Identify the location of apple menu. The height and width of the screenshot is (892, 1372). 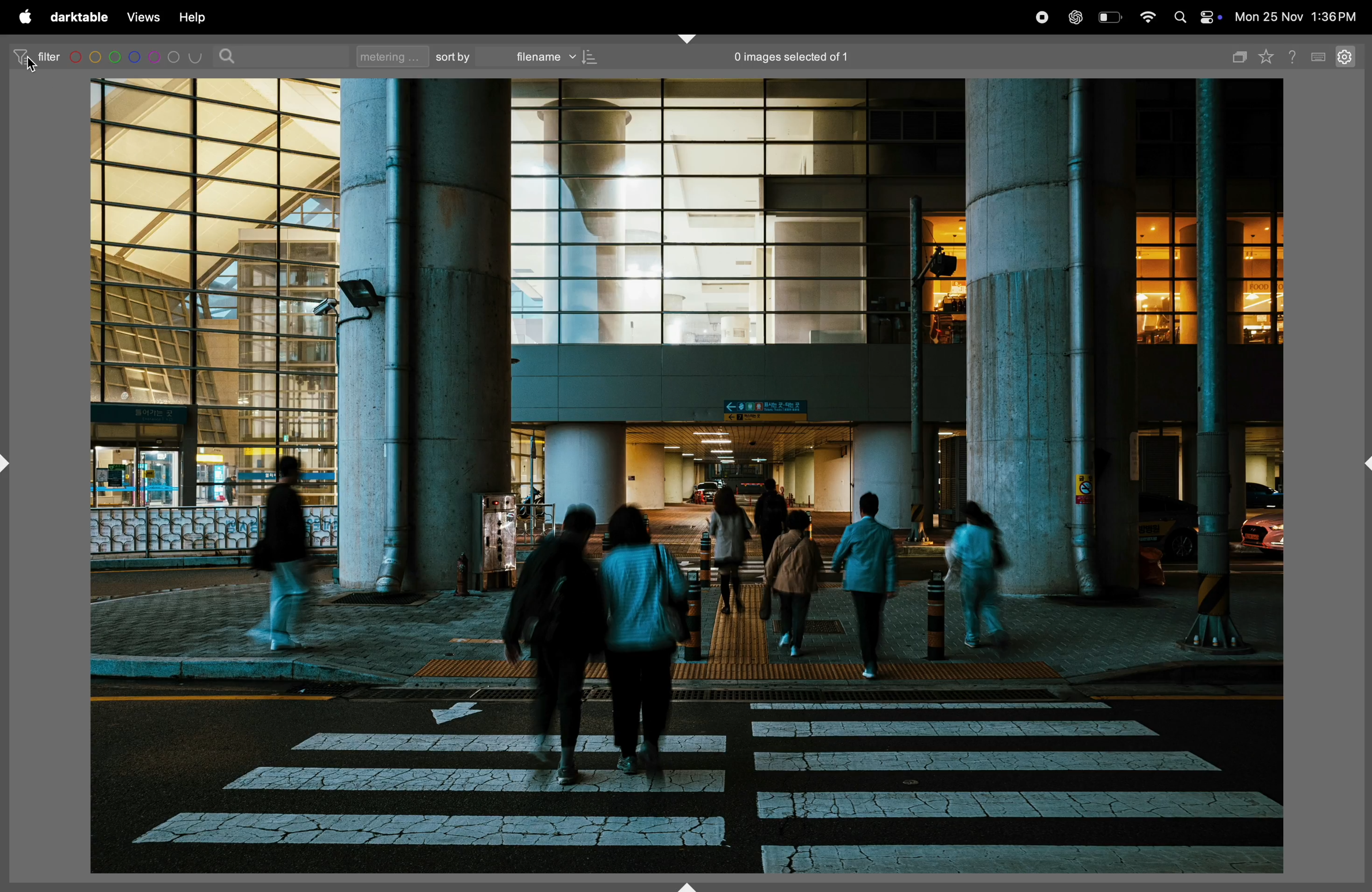
(25, 18).